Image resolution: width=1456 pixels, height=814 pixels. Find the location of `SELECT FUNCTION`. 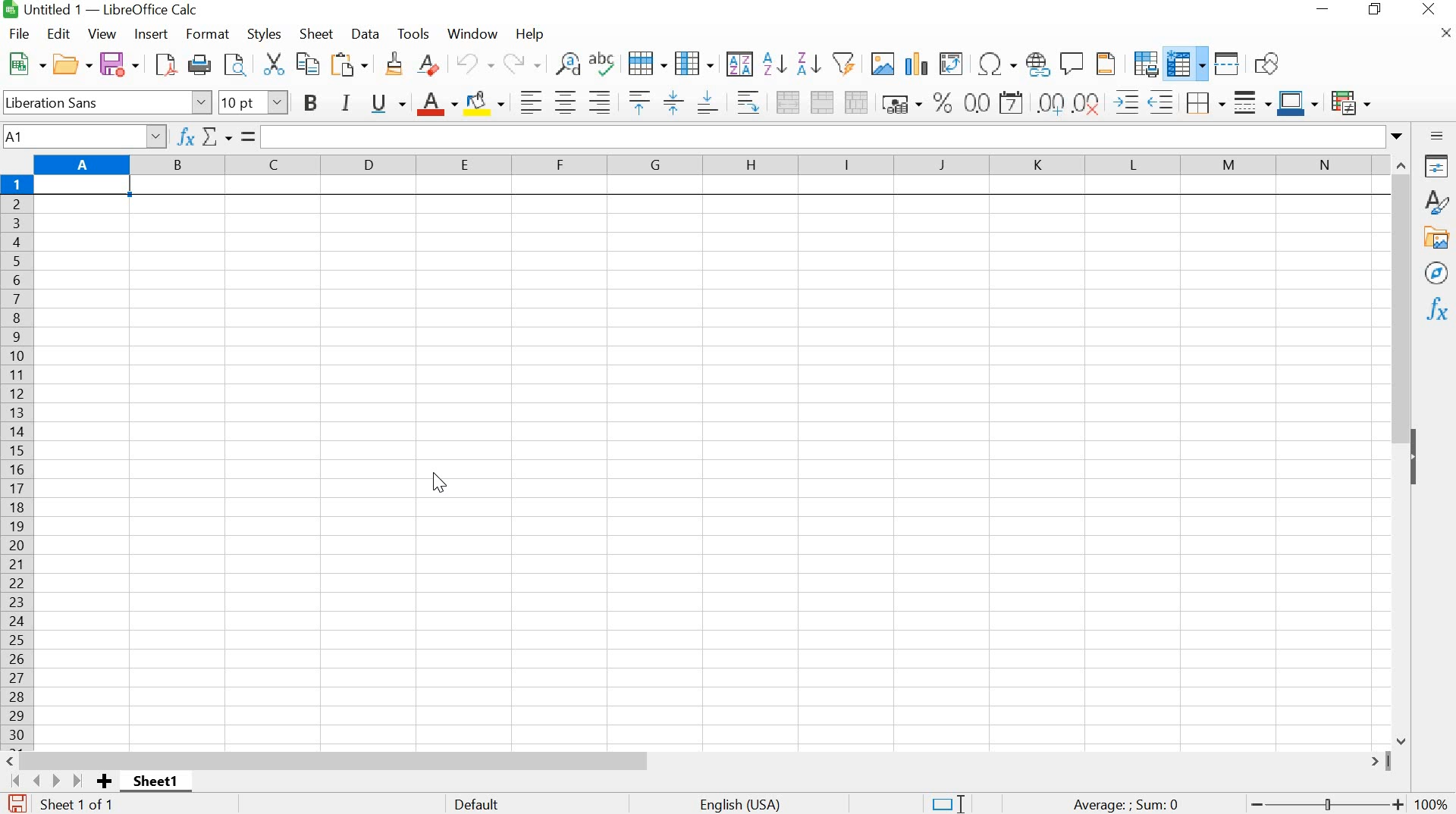

SELECT FUNCTION is located at coordinates (221, 135).